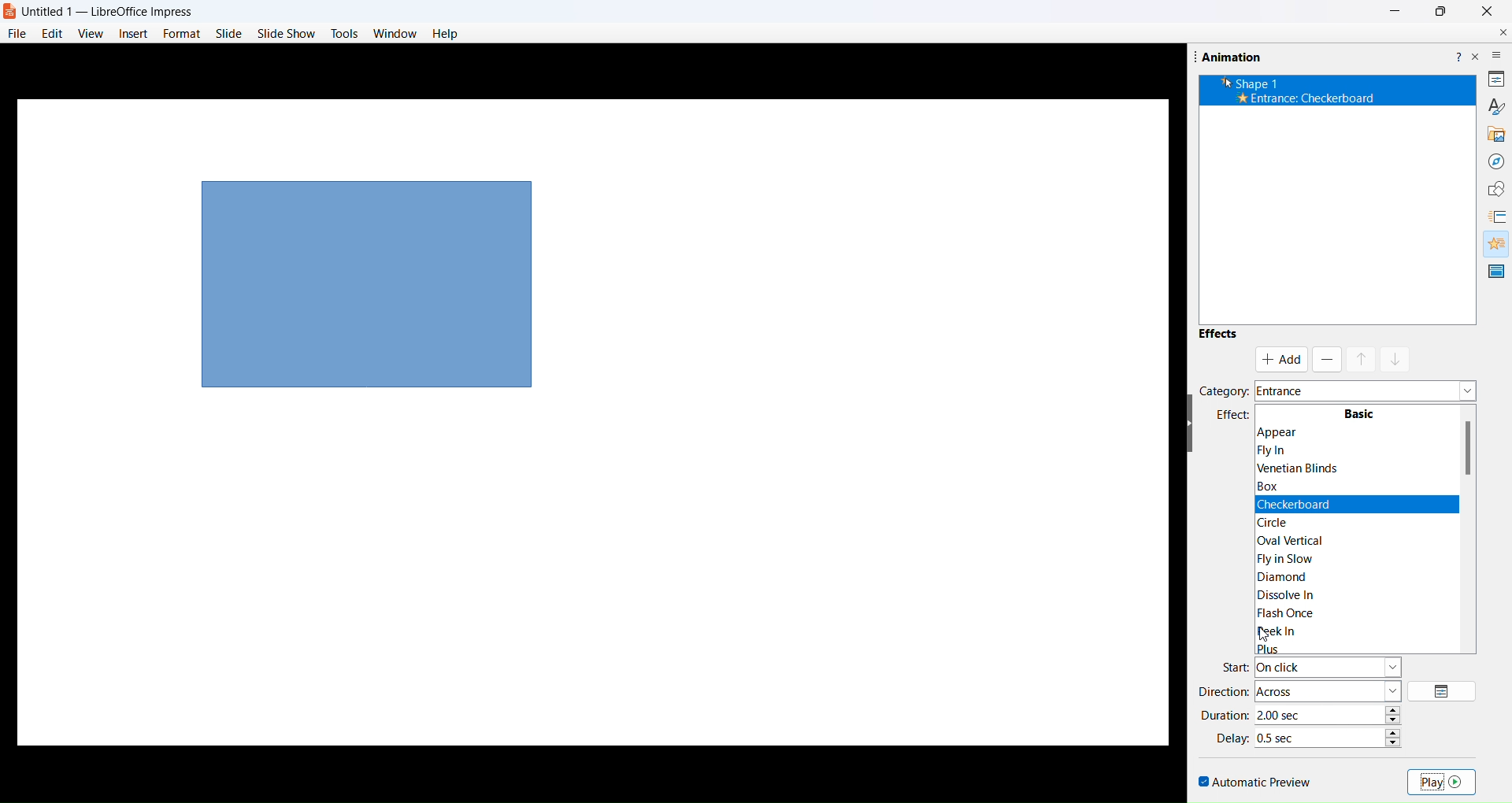  What do you see at coordinates (367, 282) in the screenshot?
I see `object` at bounding box center [367, 282].